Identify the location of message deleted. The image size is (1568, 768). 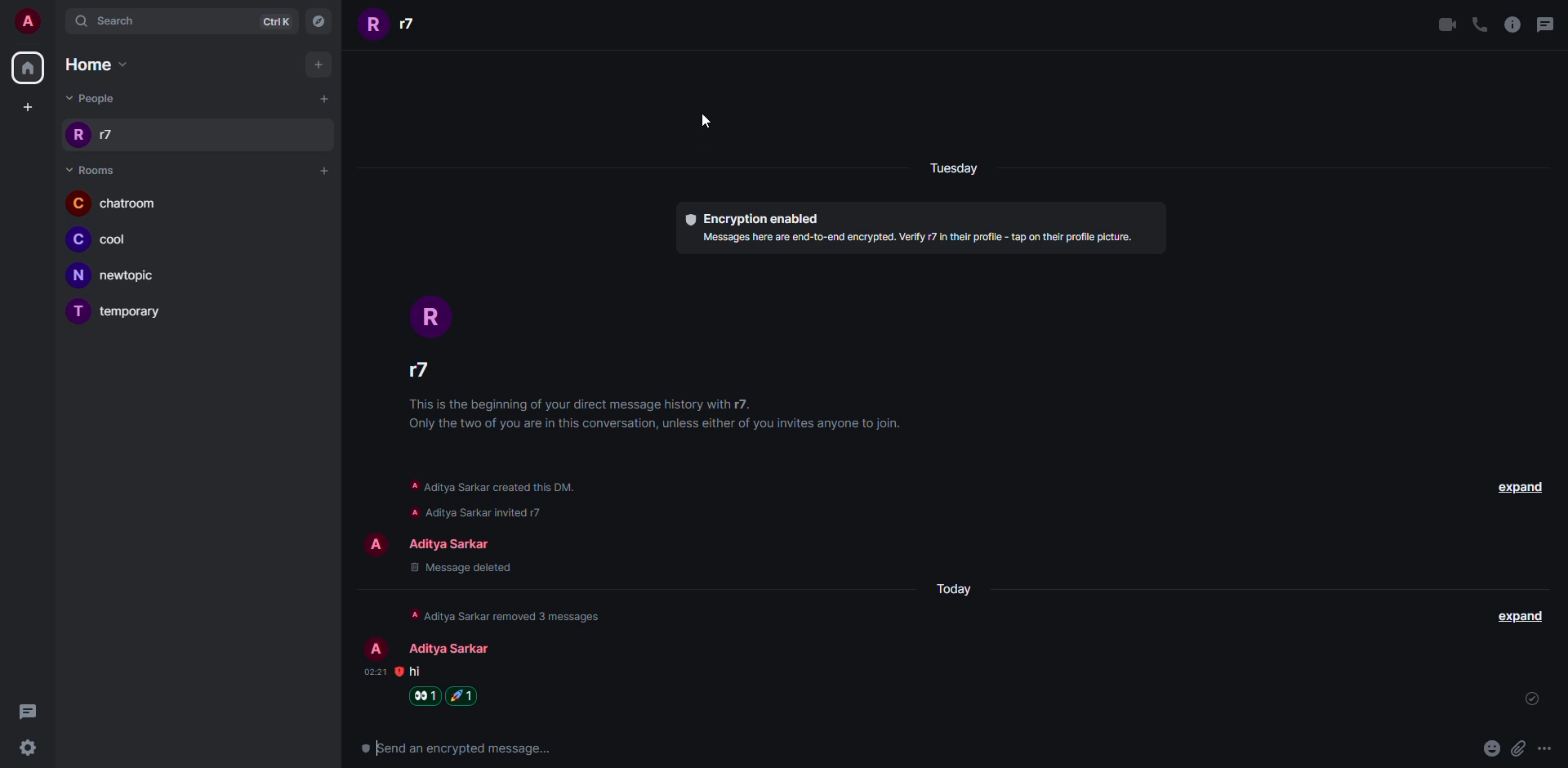
(461, 567).